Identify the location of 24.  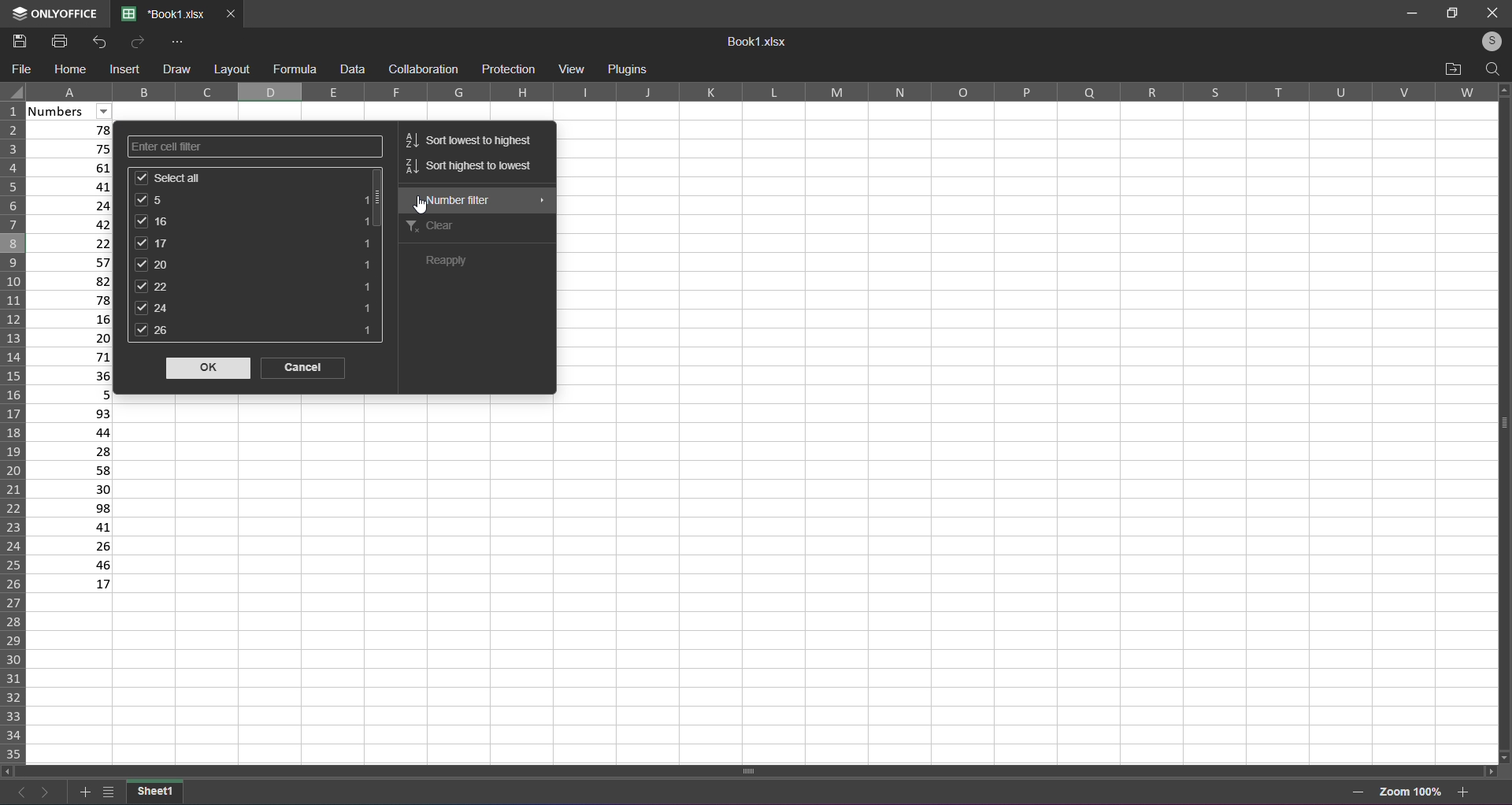
(254, 308).